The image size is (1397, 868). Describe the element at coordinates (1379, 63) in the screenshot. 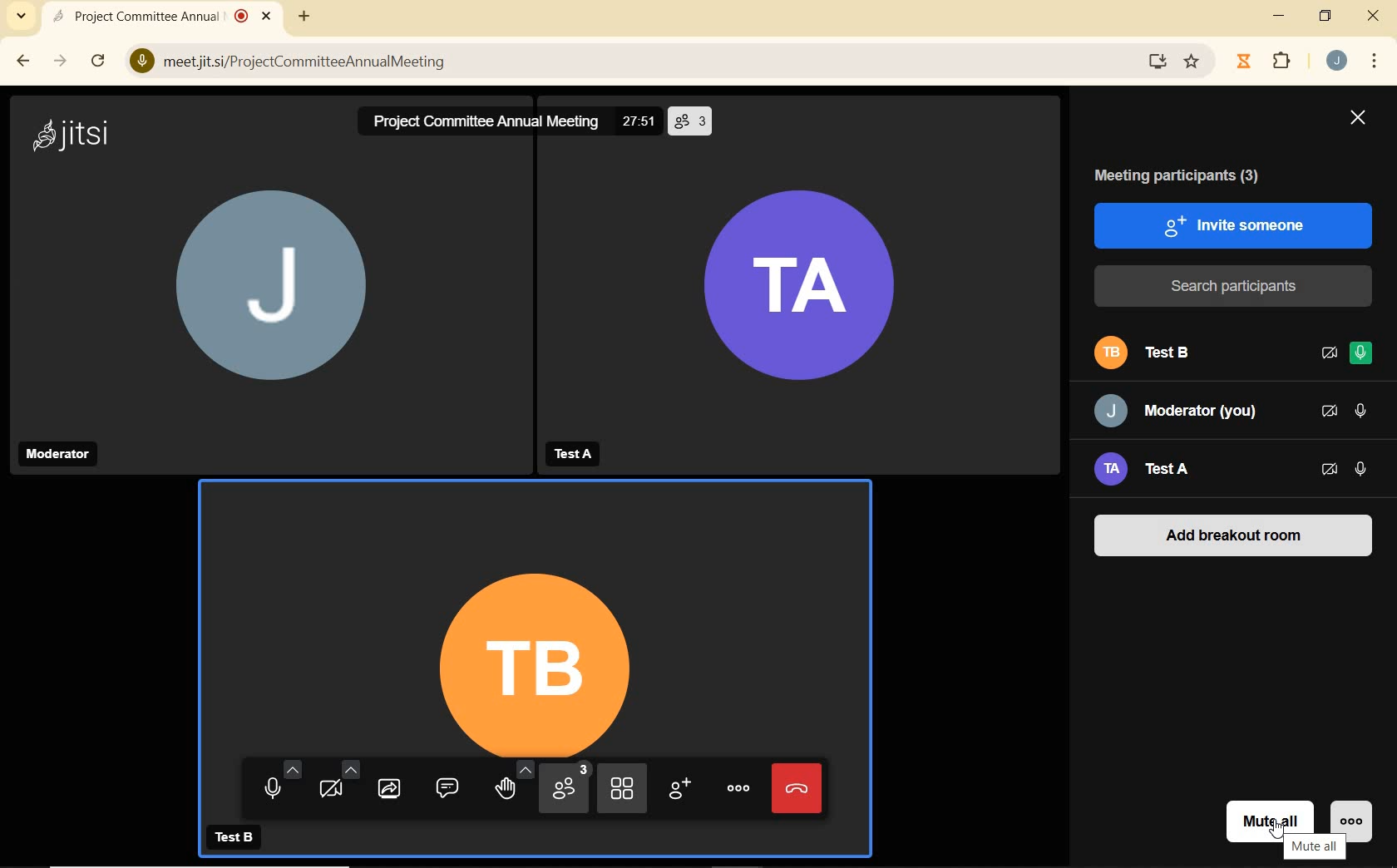

I see `CUSTOMIZE GOOGLE CHROME` at that location.